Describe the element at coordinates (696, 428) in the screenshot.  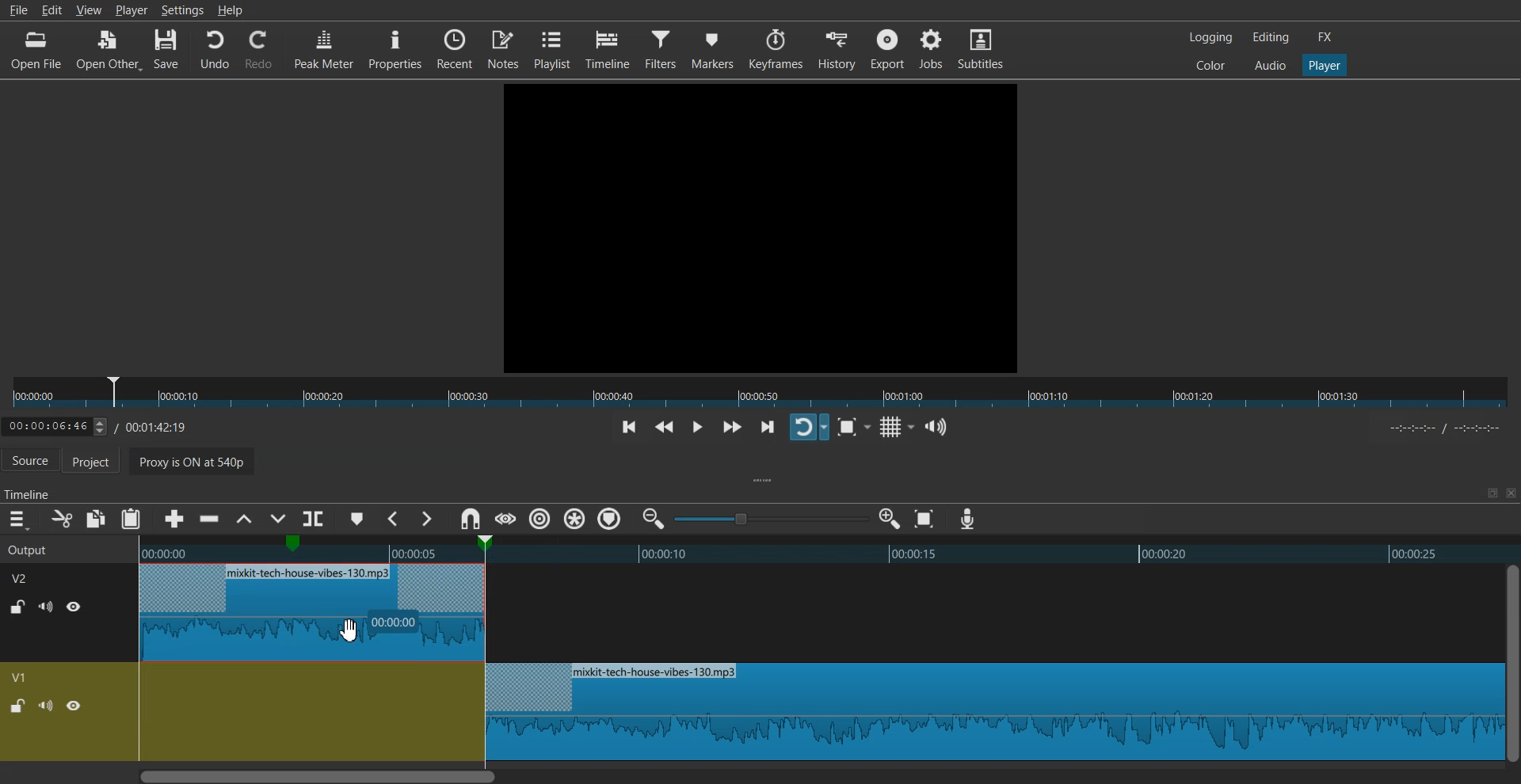
I see `Toggle play or pause` at that location.